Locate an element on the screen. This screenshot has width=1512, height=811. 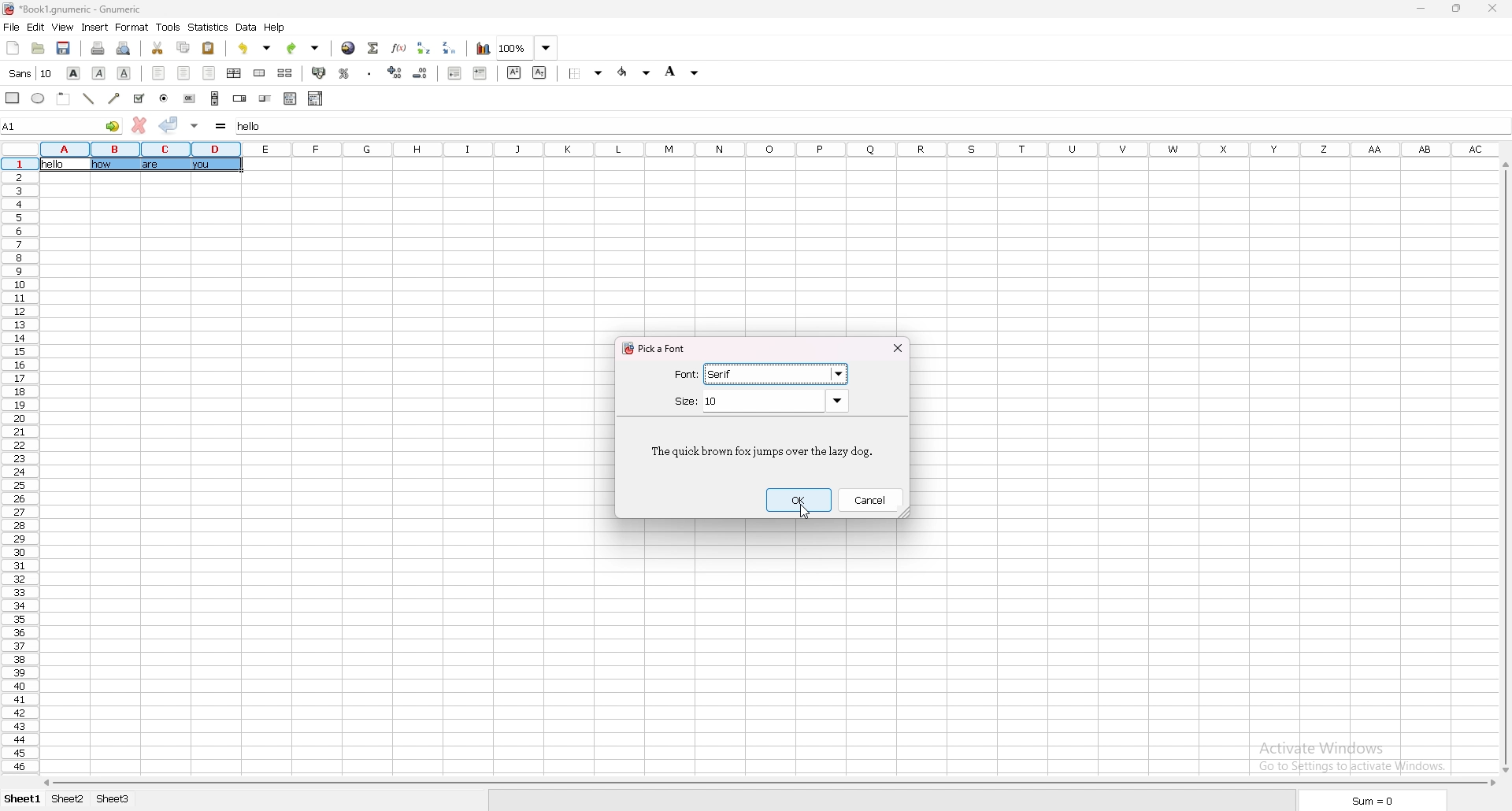
ellipse is located at coordinates (37, 98).